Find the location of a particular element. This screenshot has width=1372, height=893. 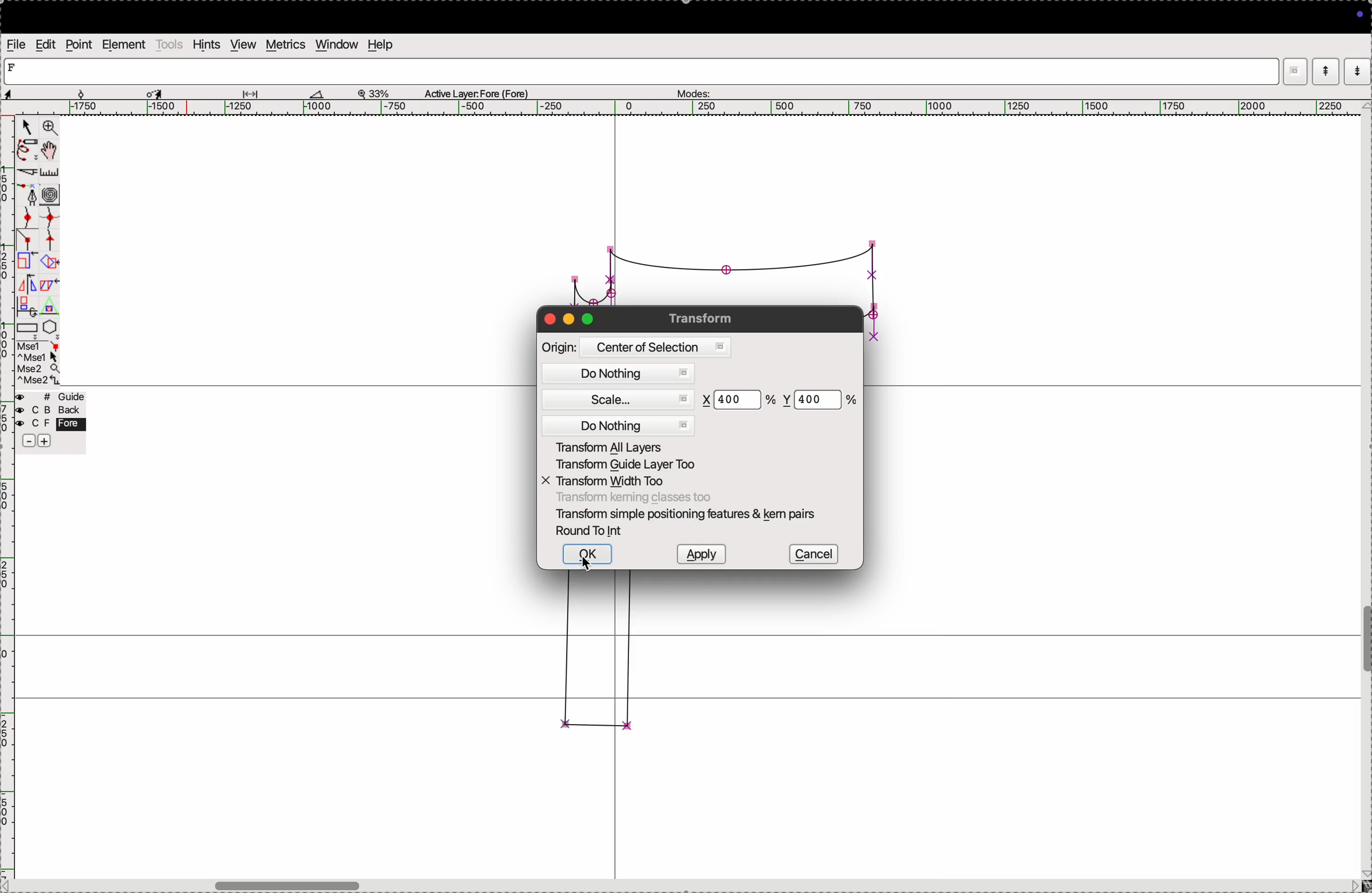

metrics is located at coordinates (287, 44).